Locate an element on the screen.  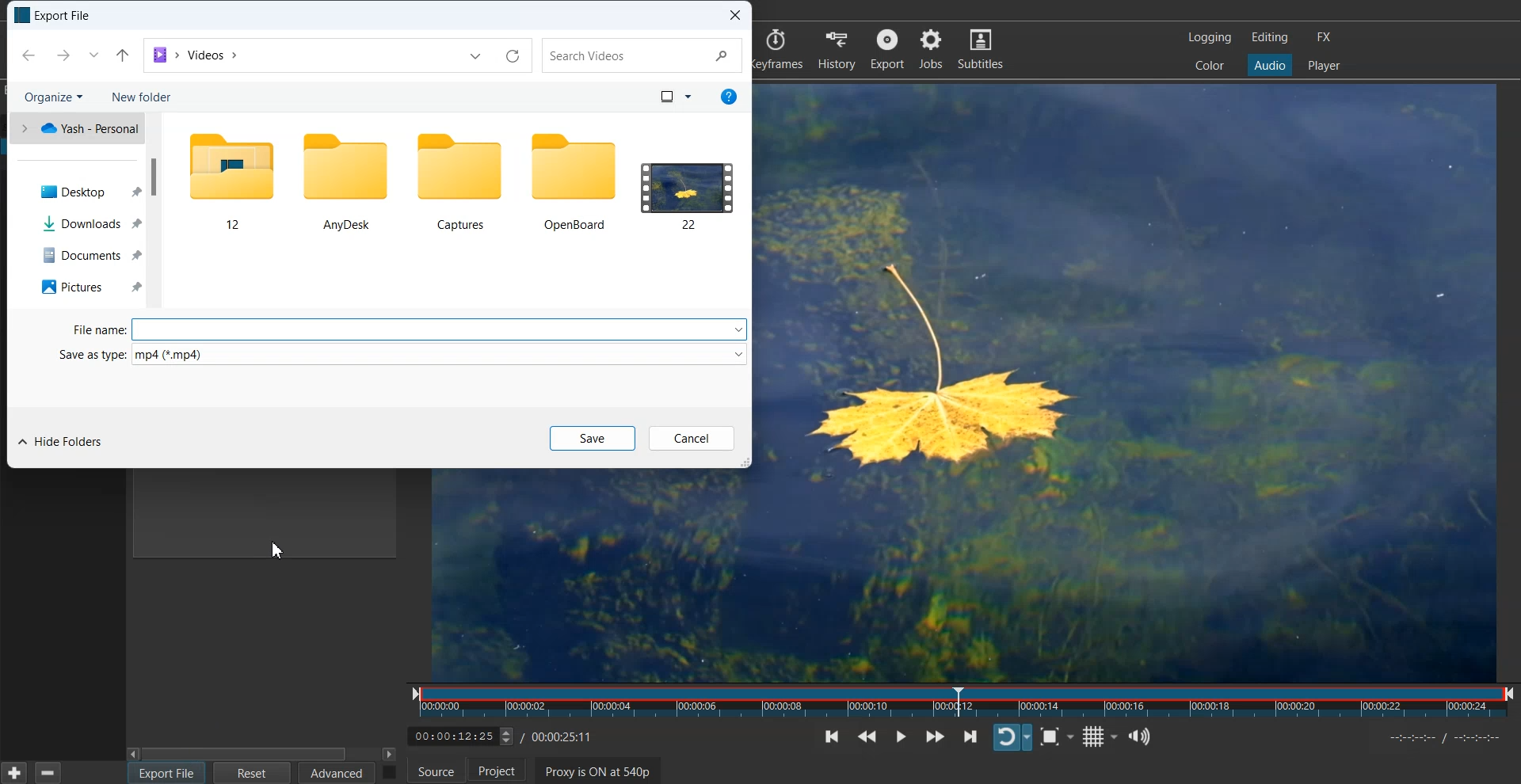
Files is located at coordinates (577, 180).